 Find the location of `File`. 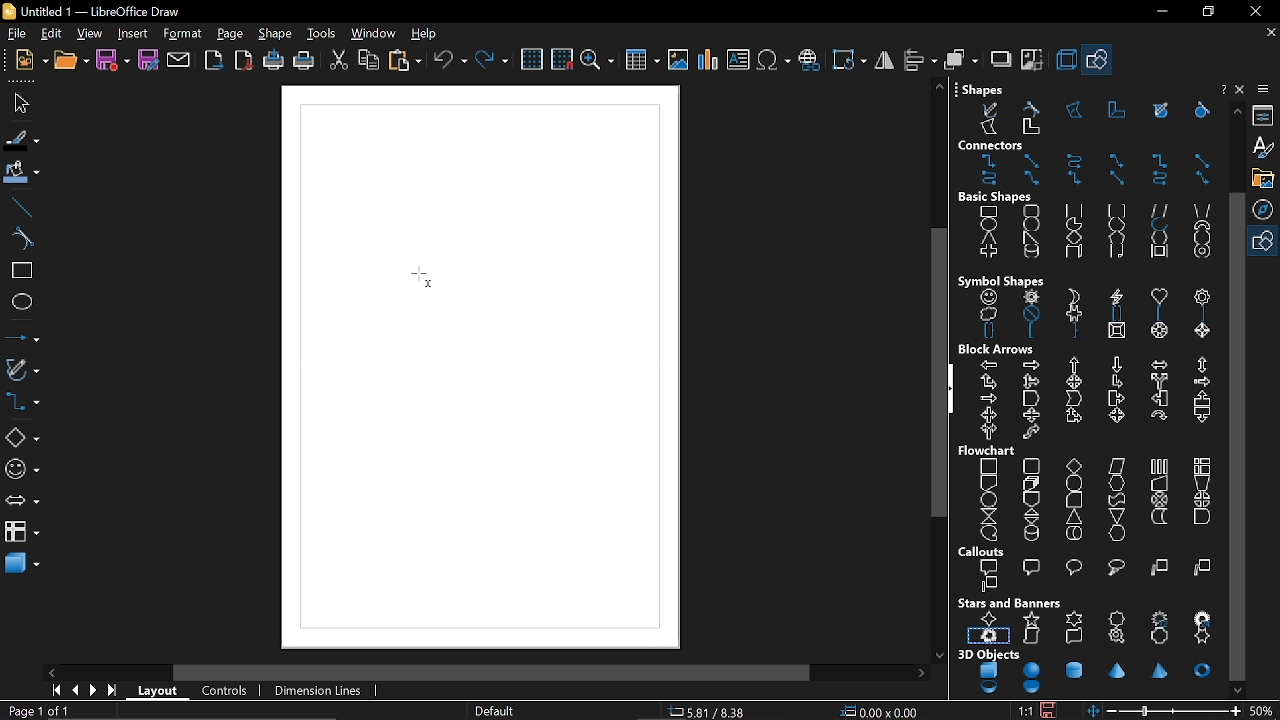

File is located at coordinates (17, 35).